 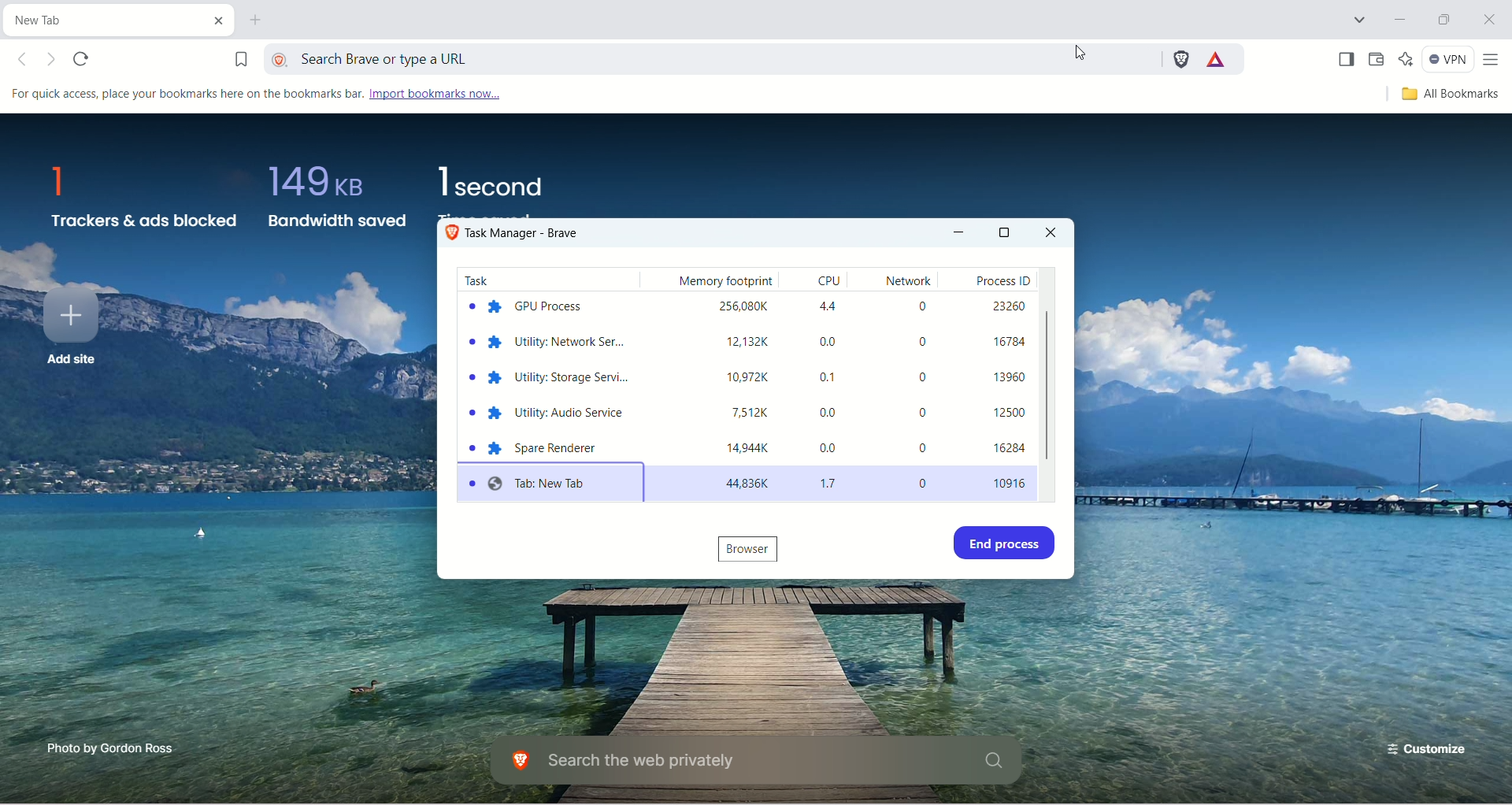 What do you see at coordinates (754, 550) in the screenshot?
I see `browser` at bounding box center [754, 550].